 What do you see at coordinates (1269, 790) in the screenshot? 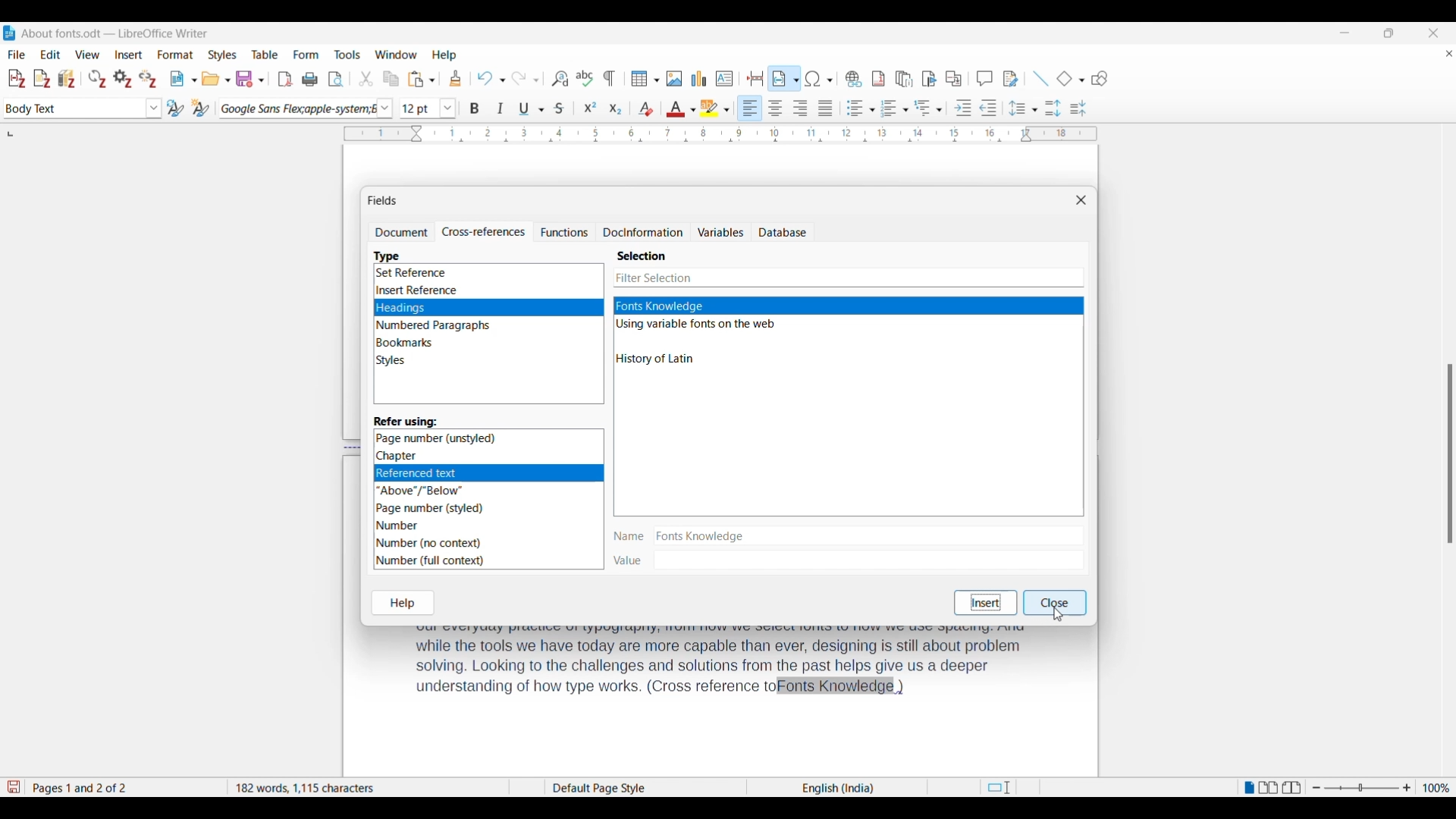
I see `multiple page view` at bounding box center [1269, 790].